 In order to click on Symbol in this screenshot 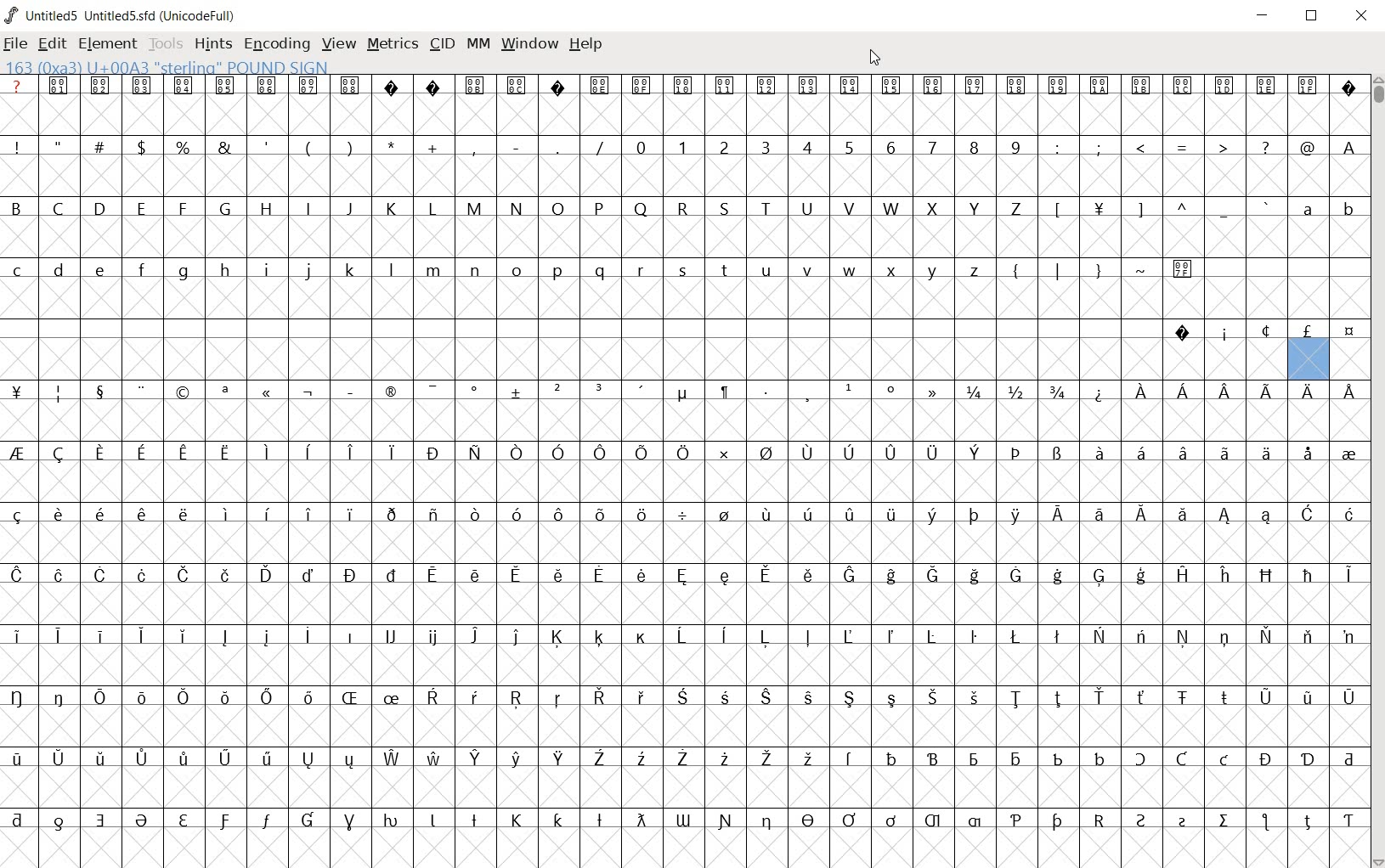, I will do `click(266, 449)`.